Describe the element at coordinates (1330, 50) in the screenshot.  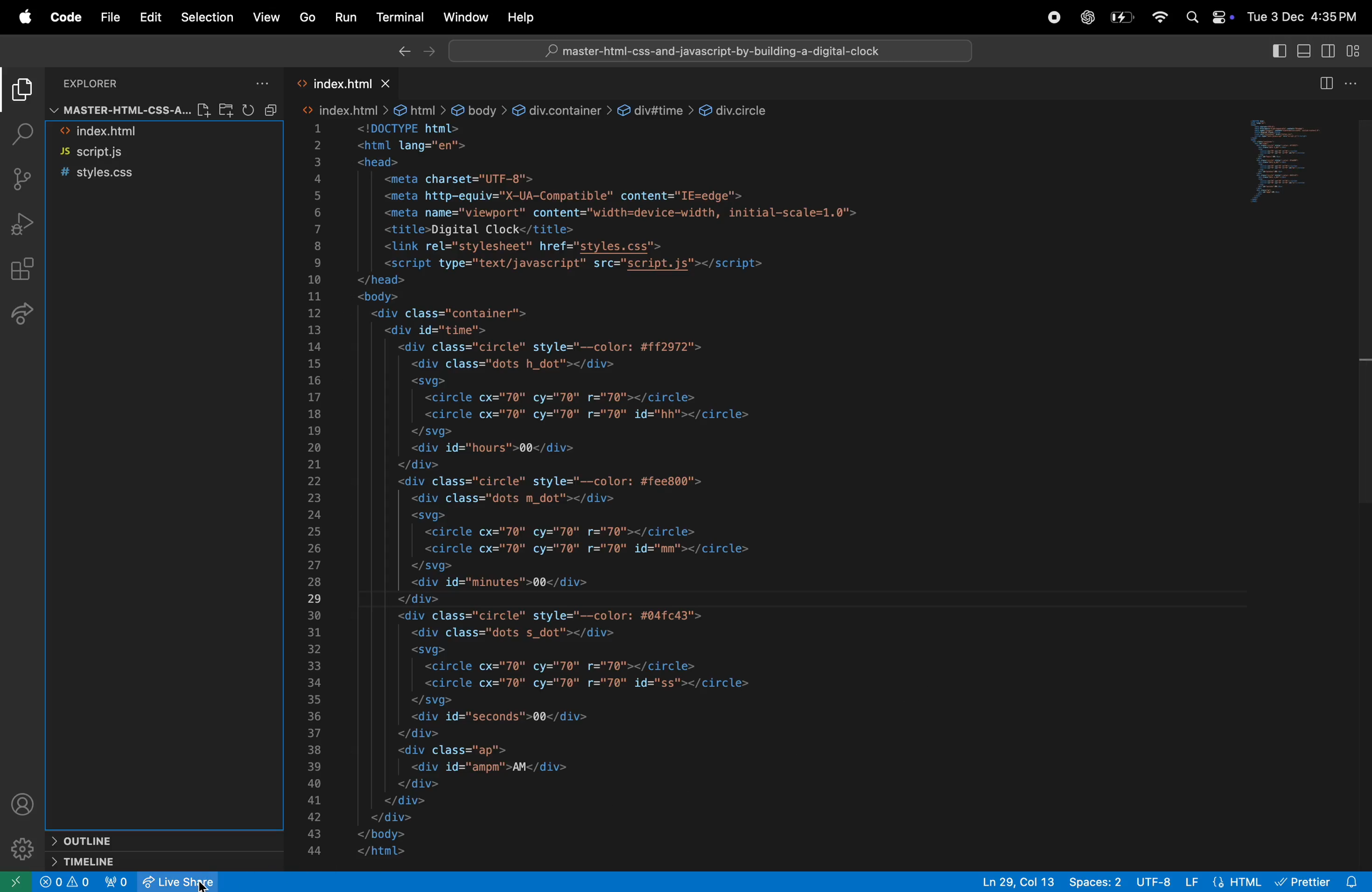
I see `toggle secondary sidebar` at that location.